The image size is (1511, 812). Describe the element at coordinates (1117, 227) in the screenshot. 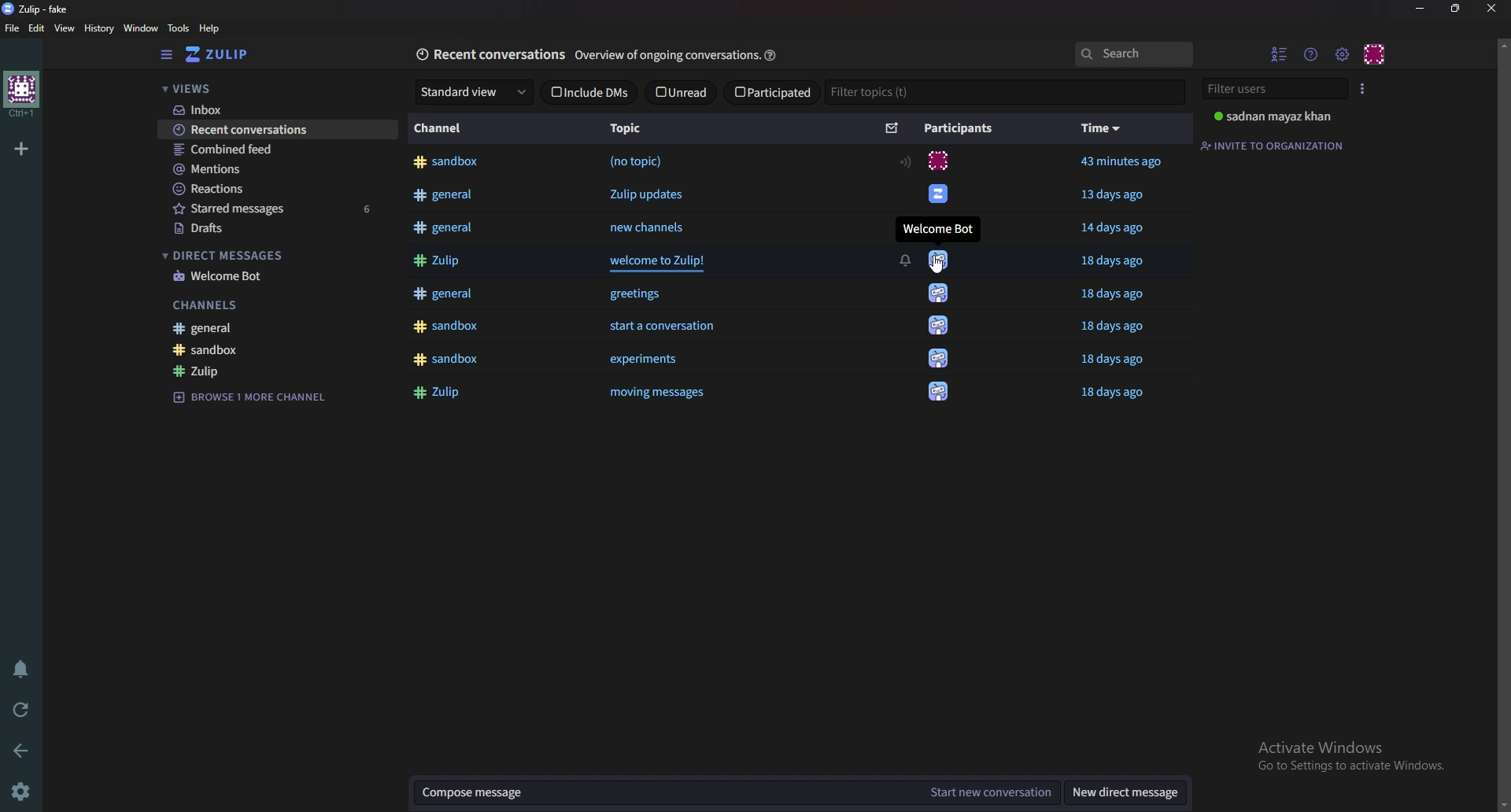

I see `14 days ago` at that location.